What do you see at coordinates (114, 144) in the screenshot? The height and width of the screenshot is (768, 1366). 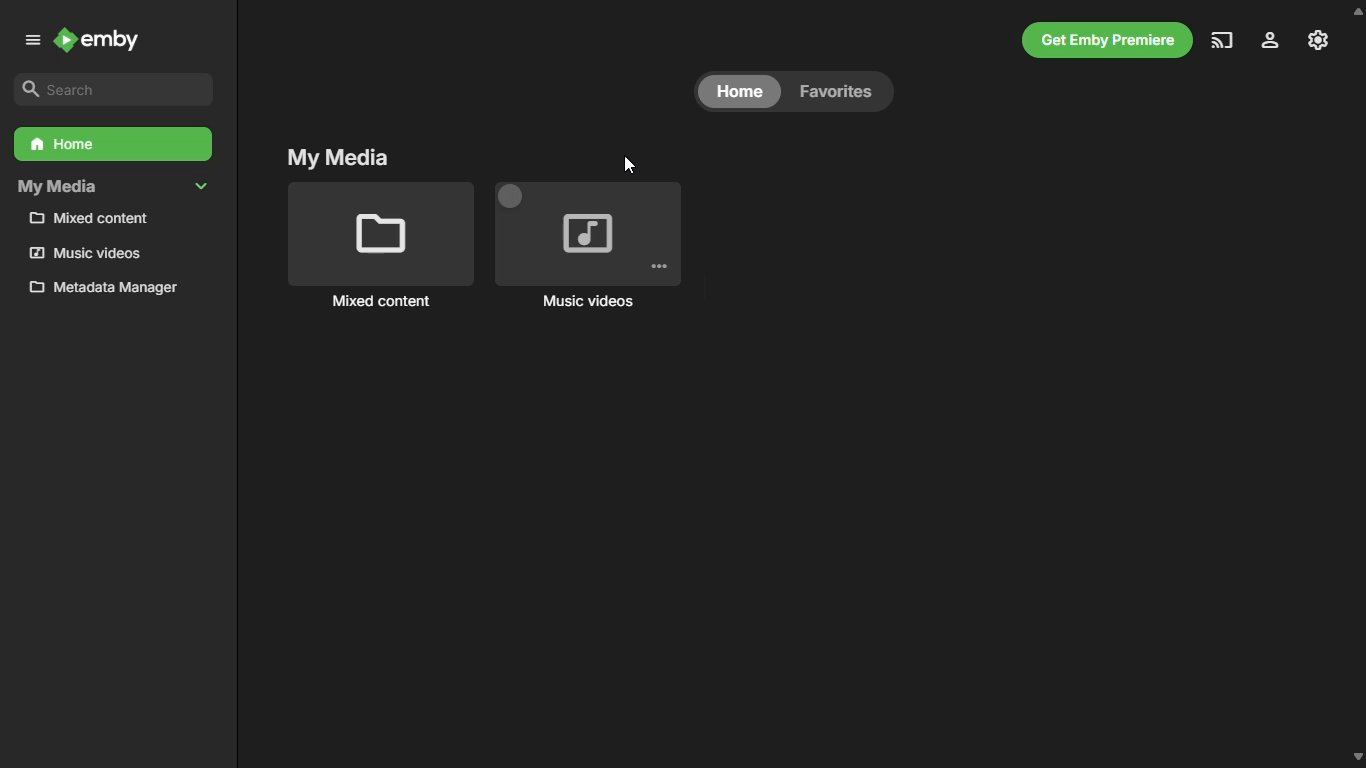 I see `home` at bounding box center [114, 144].